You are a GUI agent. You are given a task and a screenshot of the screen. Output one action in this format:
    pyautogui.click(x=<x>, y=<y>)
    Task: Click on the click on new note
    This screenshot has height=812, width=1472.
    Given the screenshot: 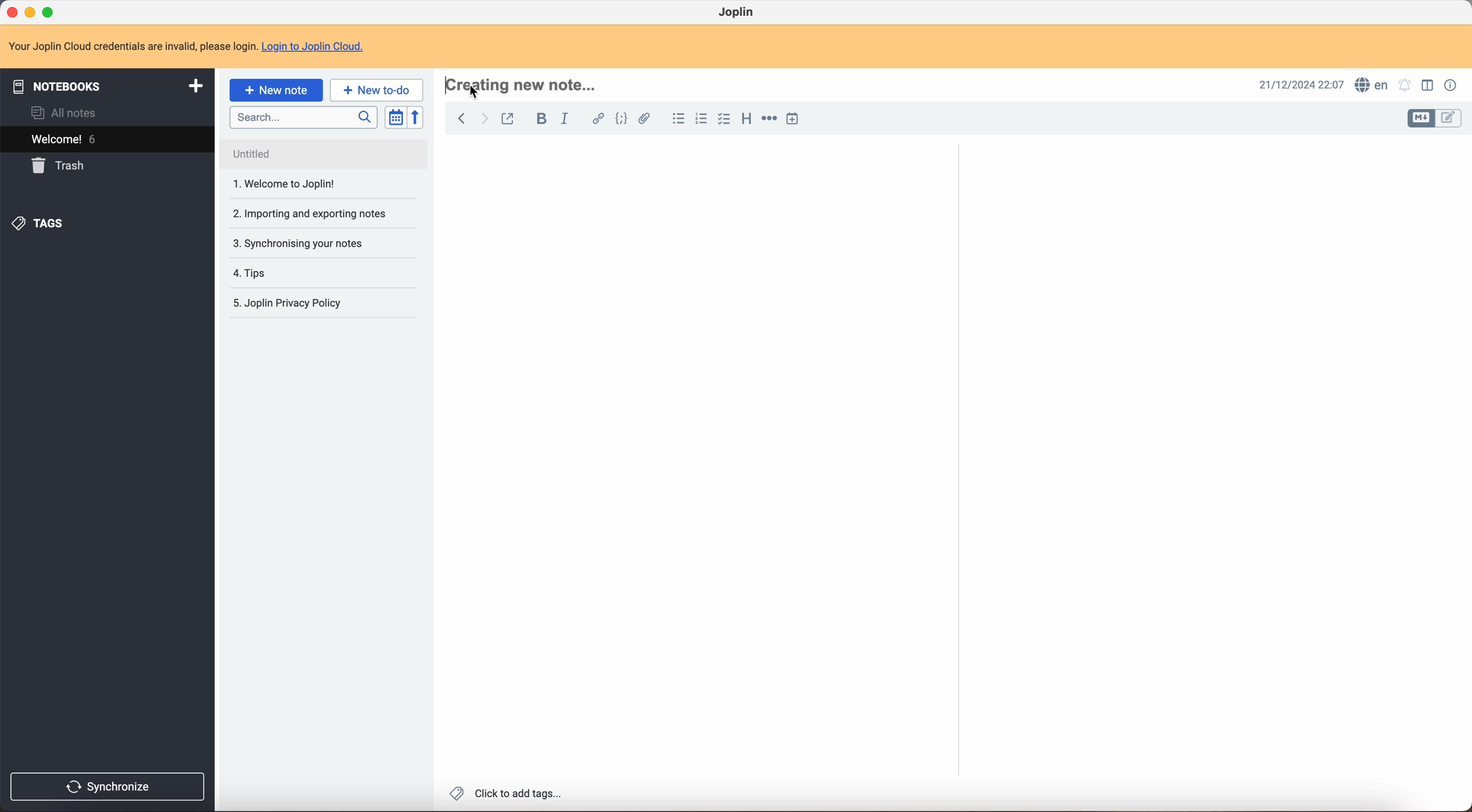 What is the action you would take?
    pyautogui.click(x=277, y=91)
    